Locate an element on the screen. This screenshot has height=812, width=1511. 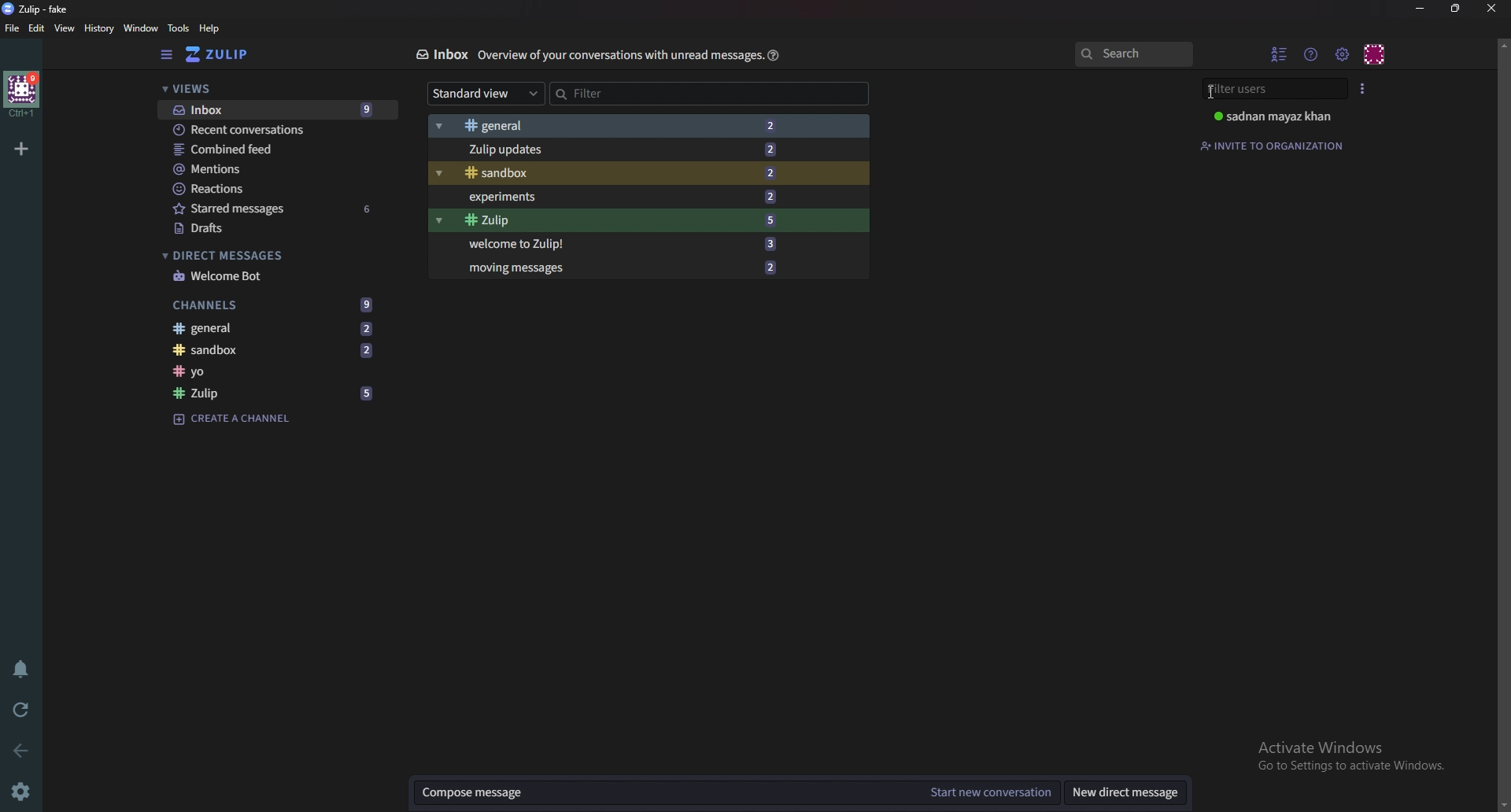
Personal menu is located at coordinates (1374, 55).